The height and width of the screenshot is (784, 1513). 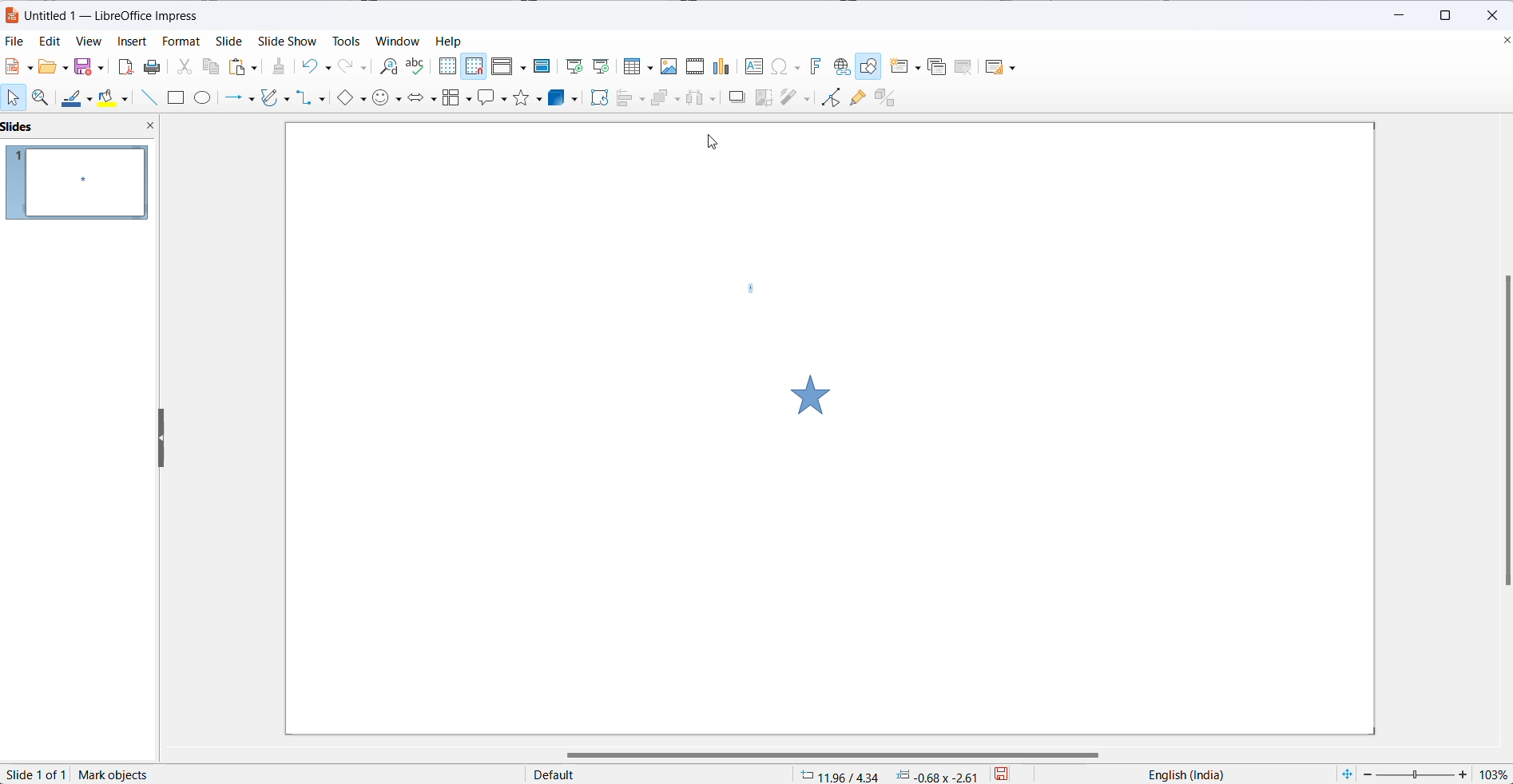 What do you see at coordinates (1393, 16) in the screenshot?
I see `minimize` at bounding box center [1393, 16].